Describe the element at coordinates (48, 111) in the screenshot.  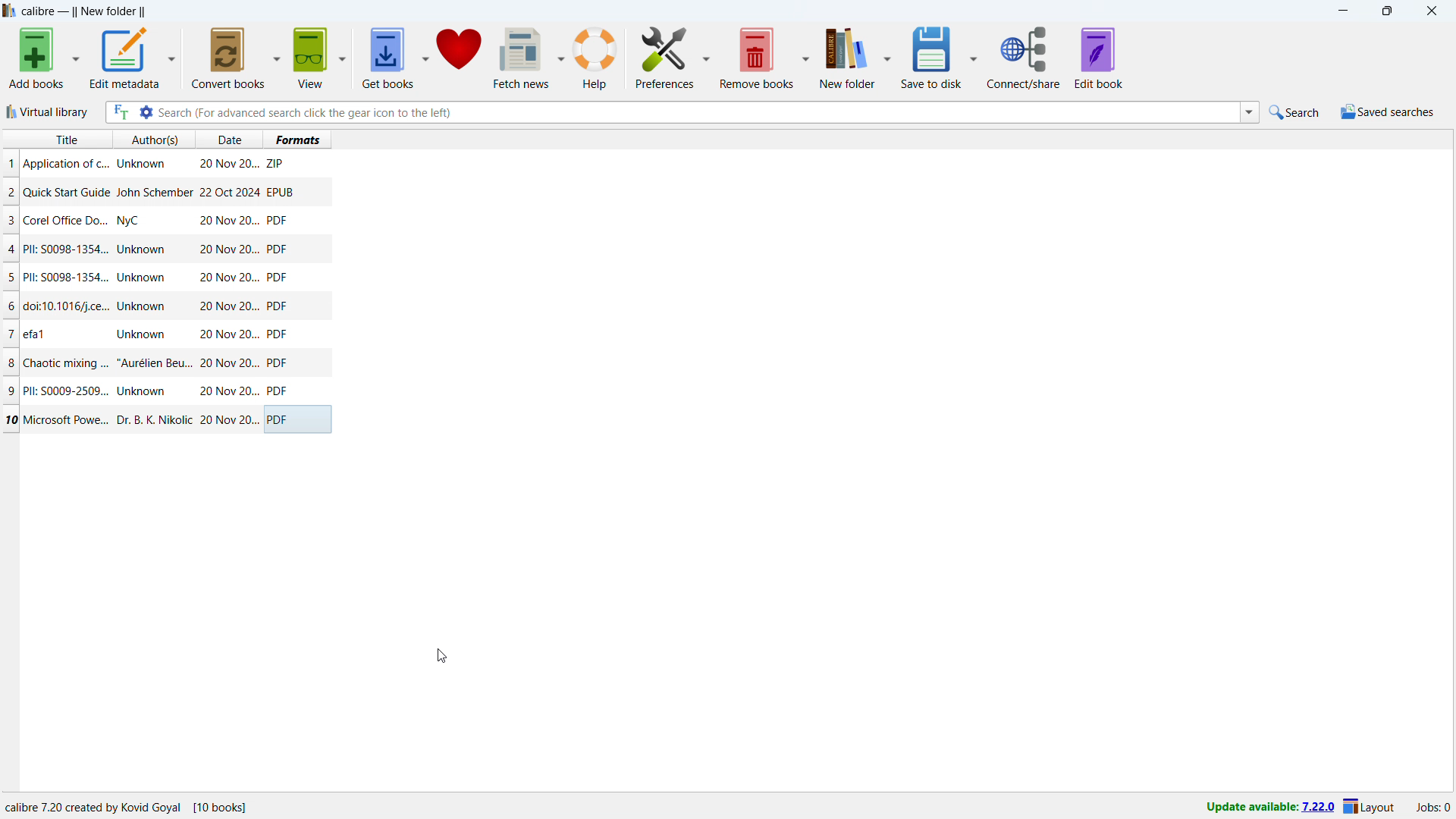
I see `virtual library` at that location.